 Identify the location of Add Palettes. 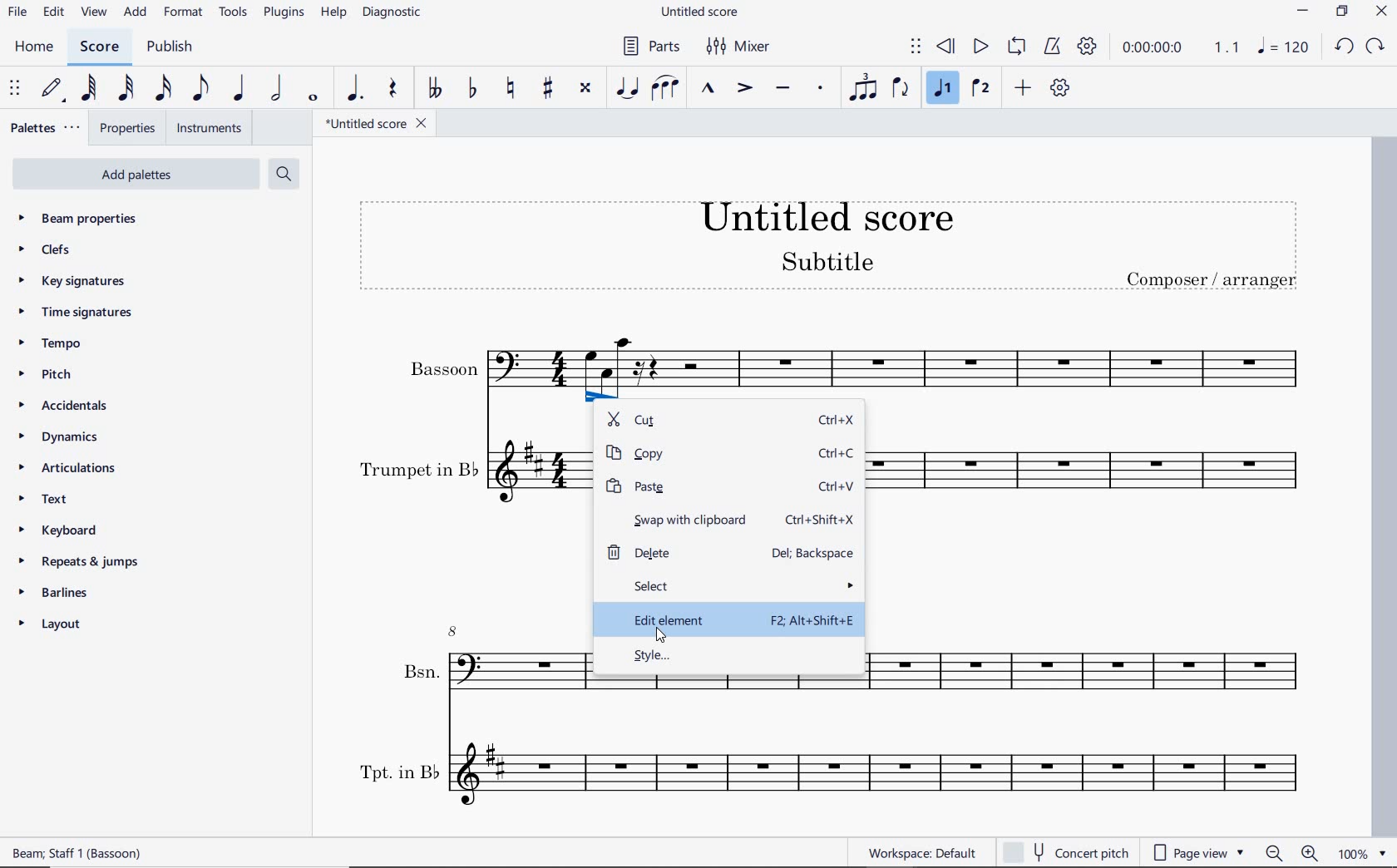
(136, 172).